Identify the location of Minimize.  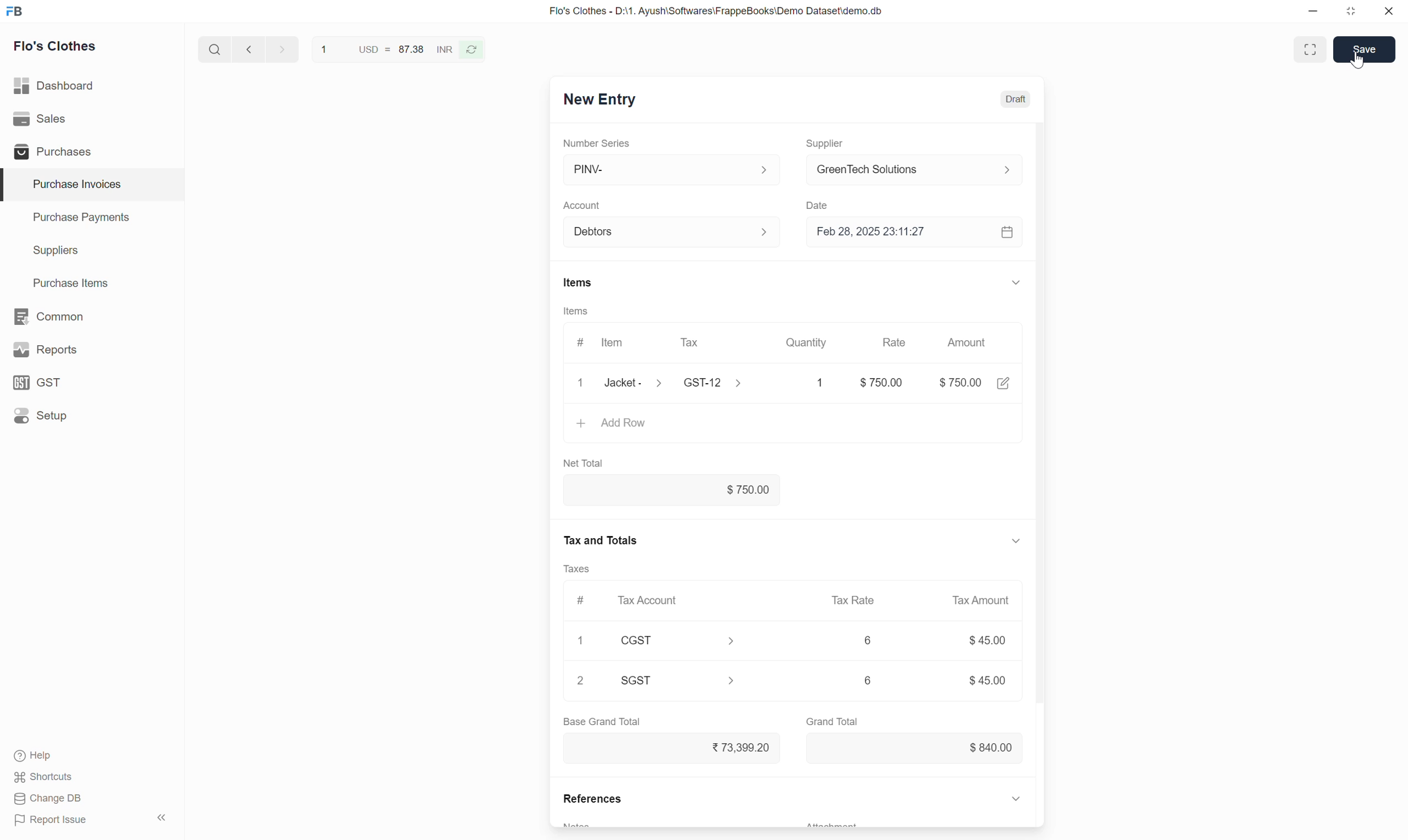
(1313, 11).